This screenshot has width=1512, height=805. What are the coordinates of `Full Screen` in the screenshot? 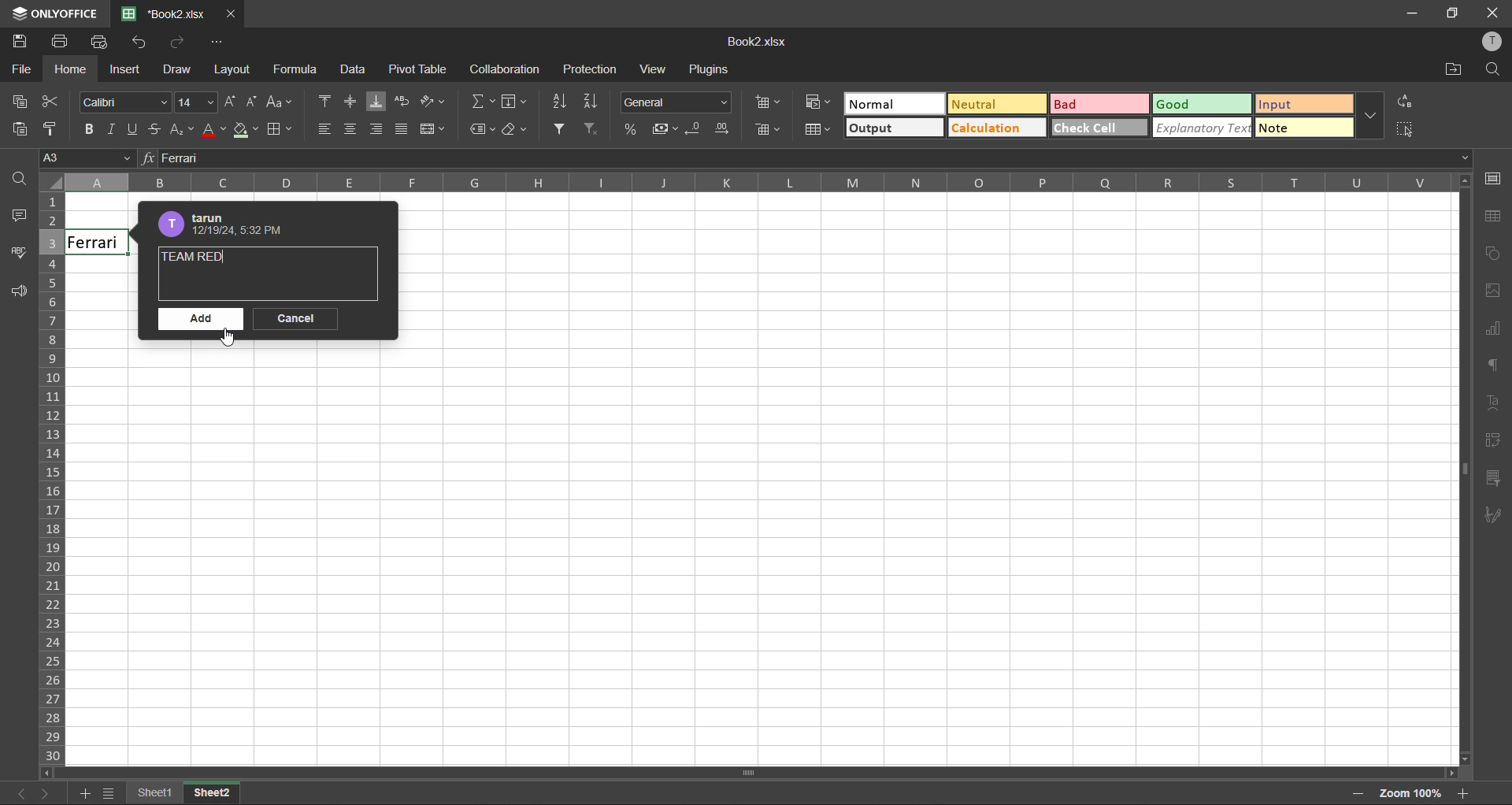 It's located at (1454, 14).